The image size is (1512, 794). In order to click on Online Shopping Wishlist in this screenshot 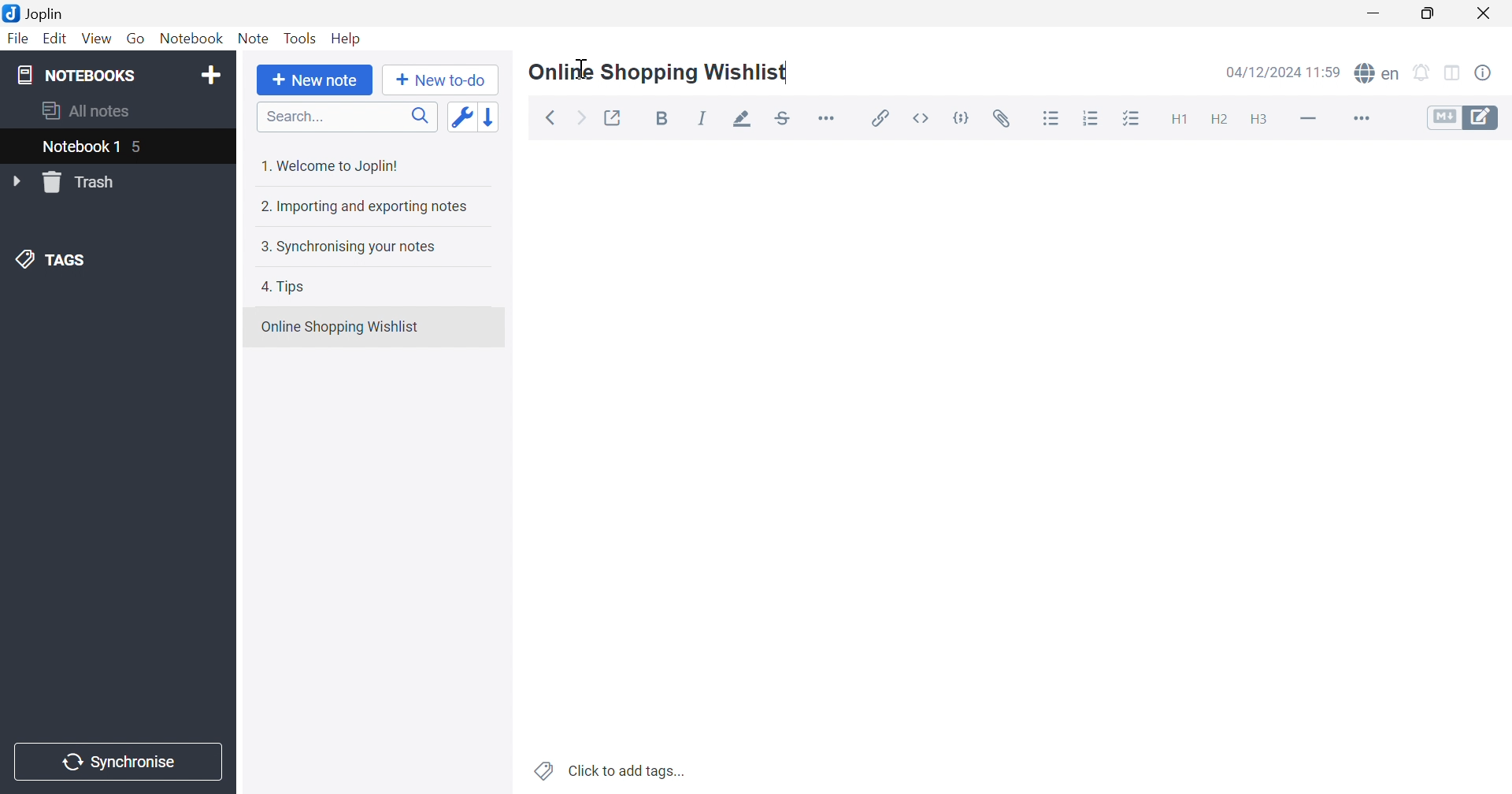, I will do `click(341, 327)`.